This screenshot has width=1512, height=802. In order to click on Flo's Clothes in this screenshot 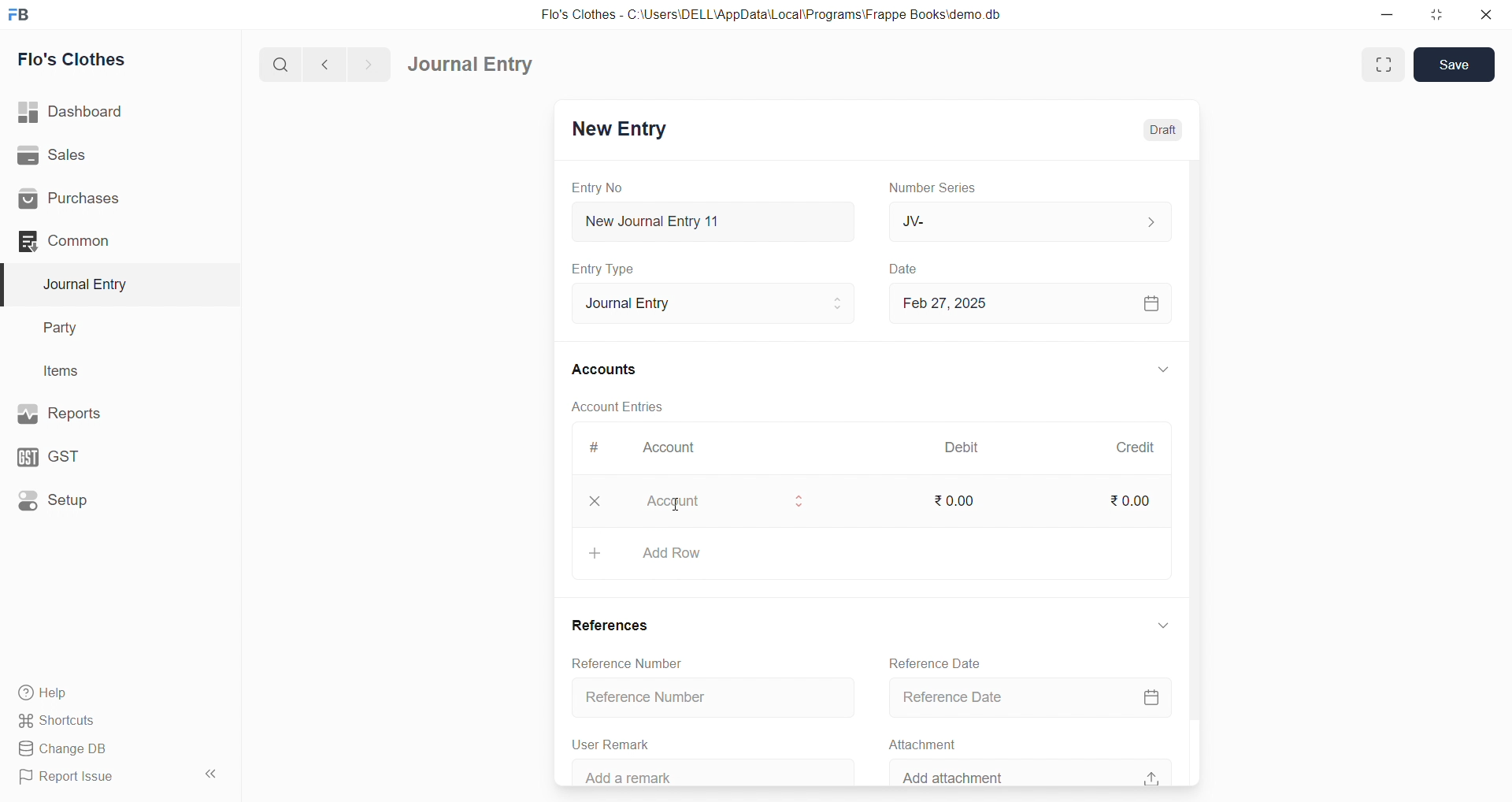, I will do `click(80, 59)`.